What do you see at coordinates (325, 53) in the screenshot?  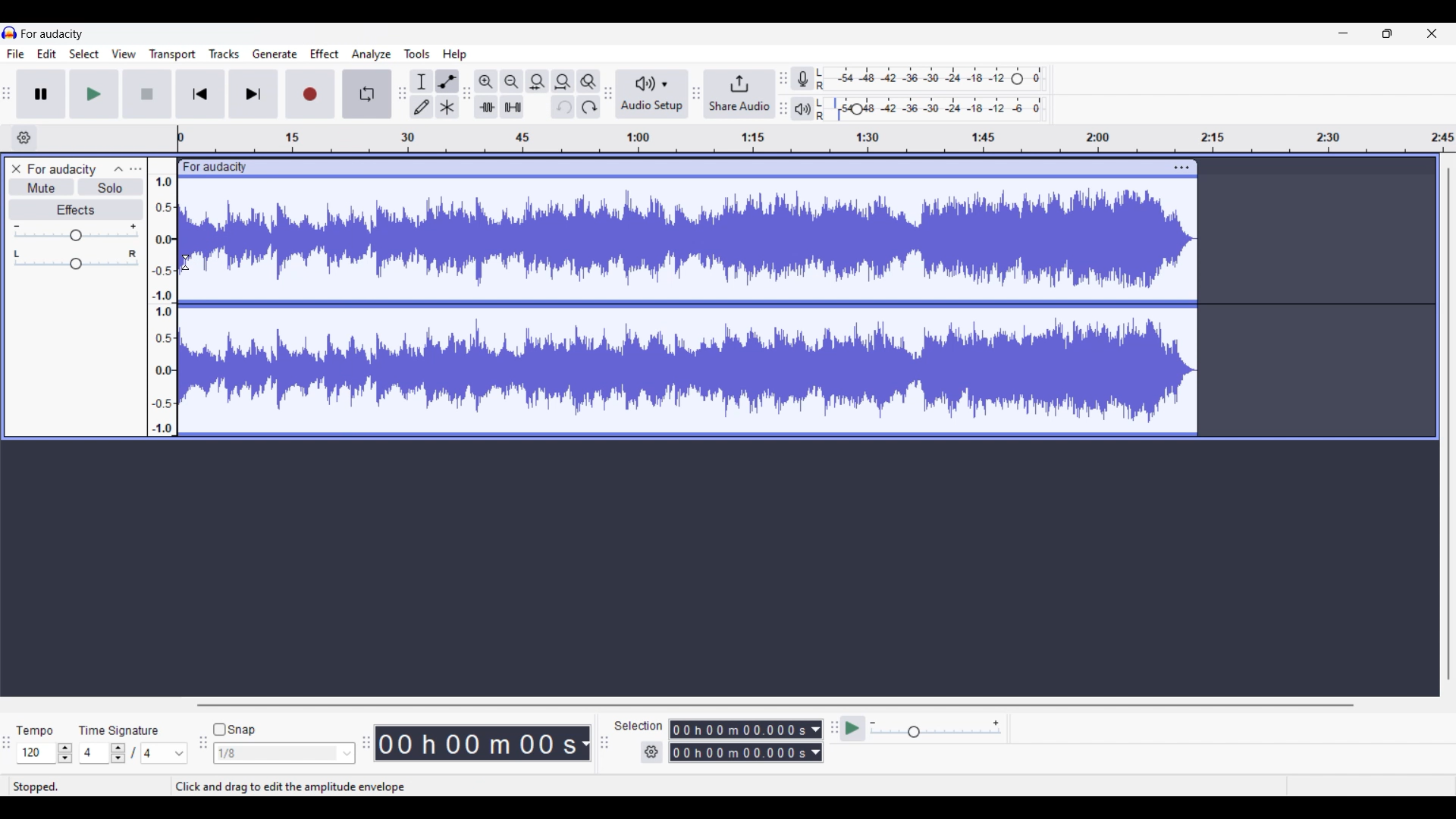 I see `Effect` at bounding box center [325, 53].